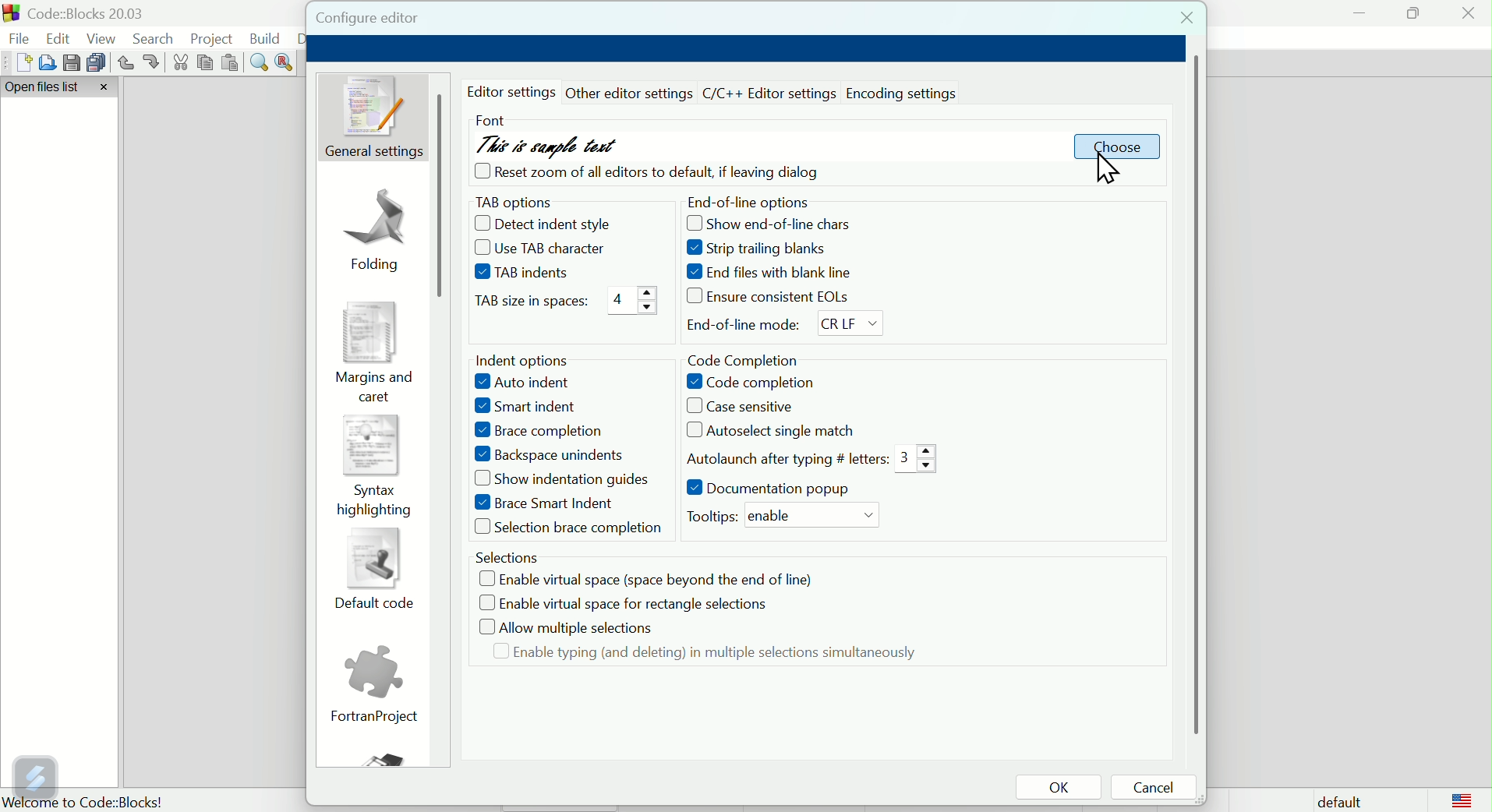 This screenshot has width=1492, height=812. I want to click on Replace, so click(286, 61).